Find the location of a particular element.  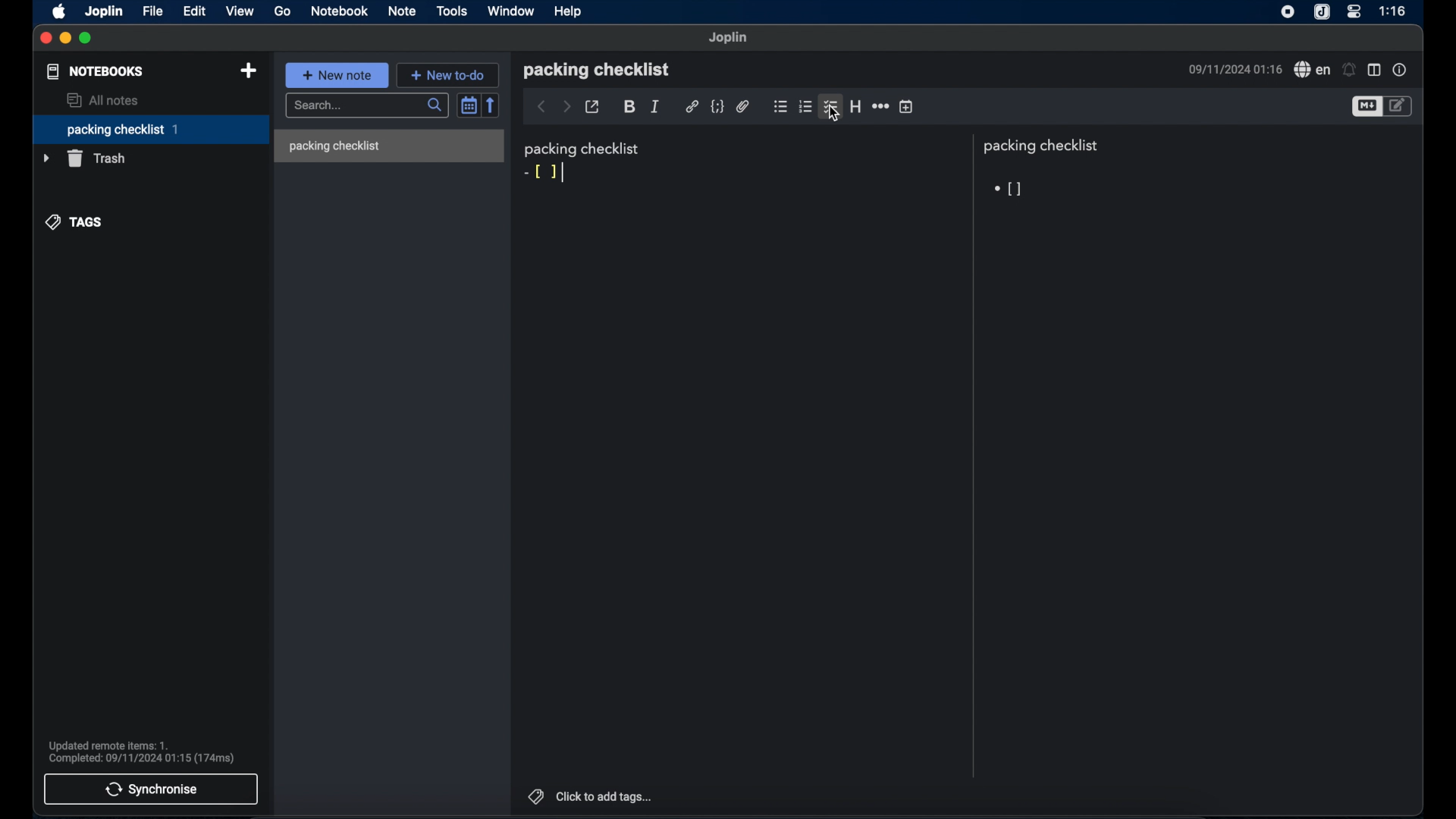

hyperlink is located at coordinates (692, 107).